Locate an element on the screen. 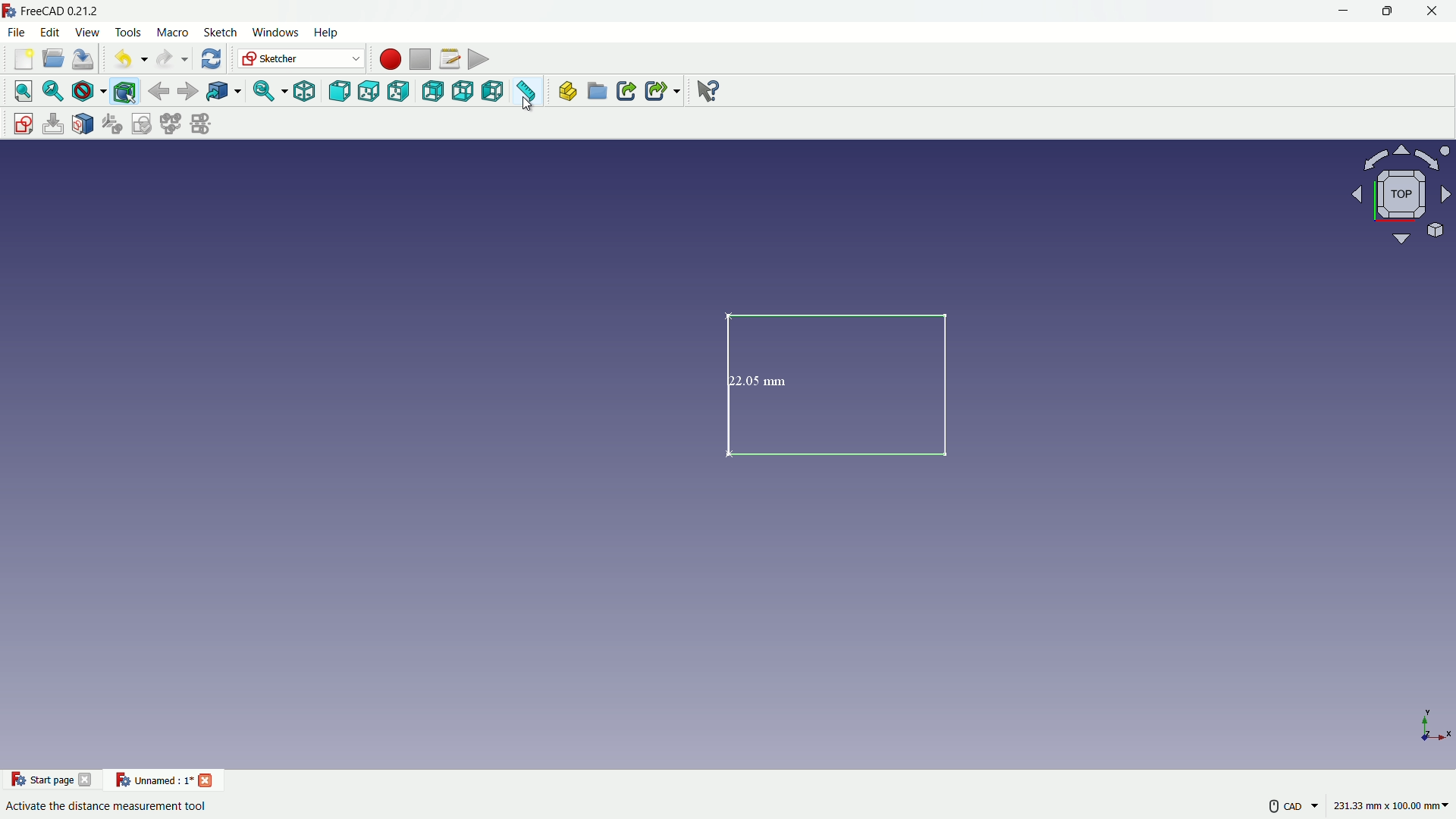 The image size is (1456, 819). more settings is located at coordinates (1289, 805).